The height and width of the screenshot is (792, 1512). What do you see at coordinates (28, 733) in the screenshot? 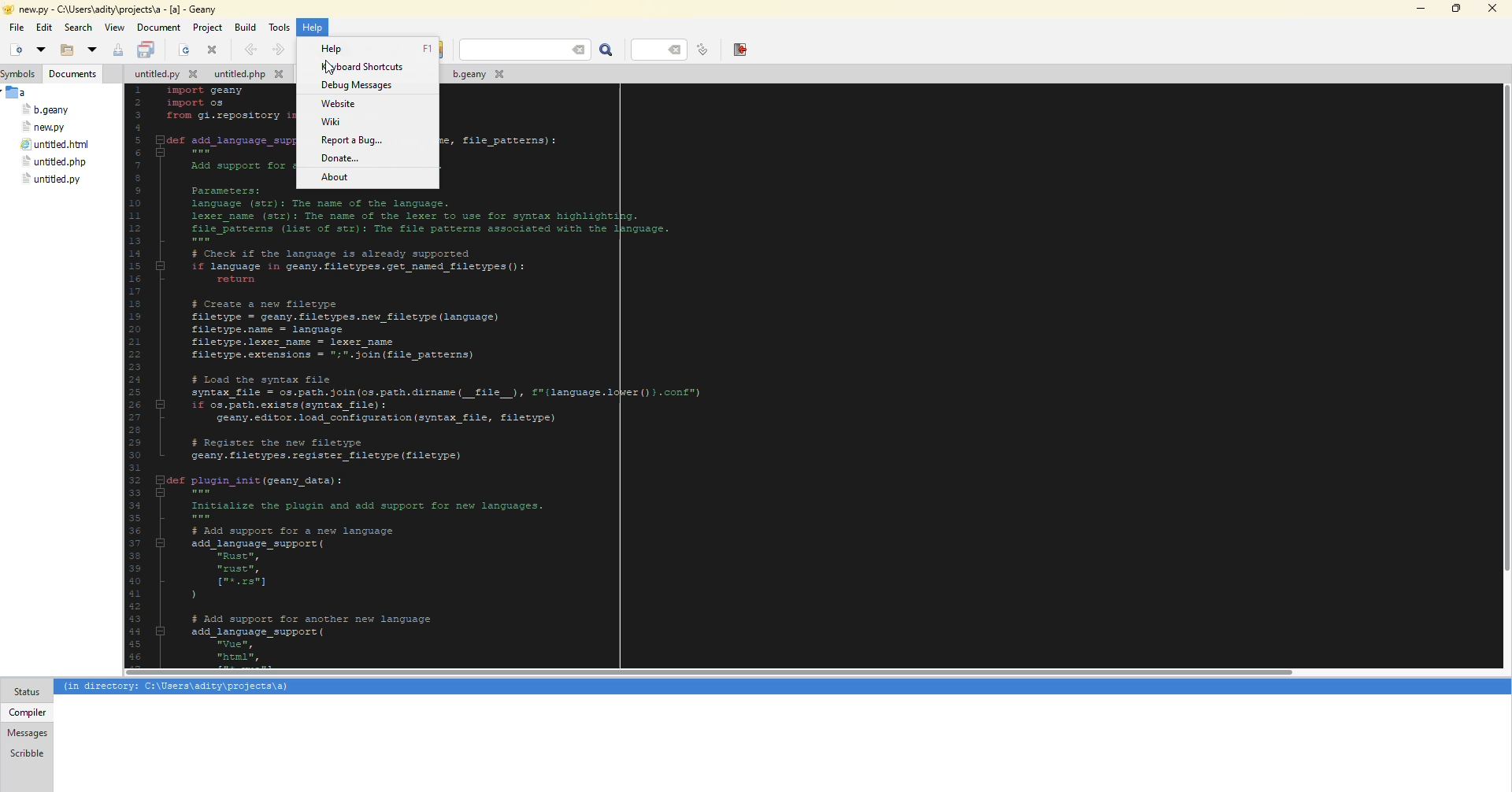
I see `messages` at bounding box center [28, 733].